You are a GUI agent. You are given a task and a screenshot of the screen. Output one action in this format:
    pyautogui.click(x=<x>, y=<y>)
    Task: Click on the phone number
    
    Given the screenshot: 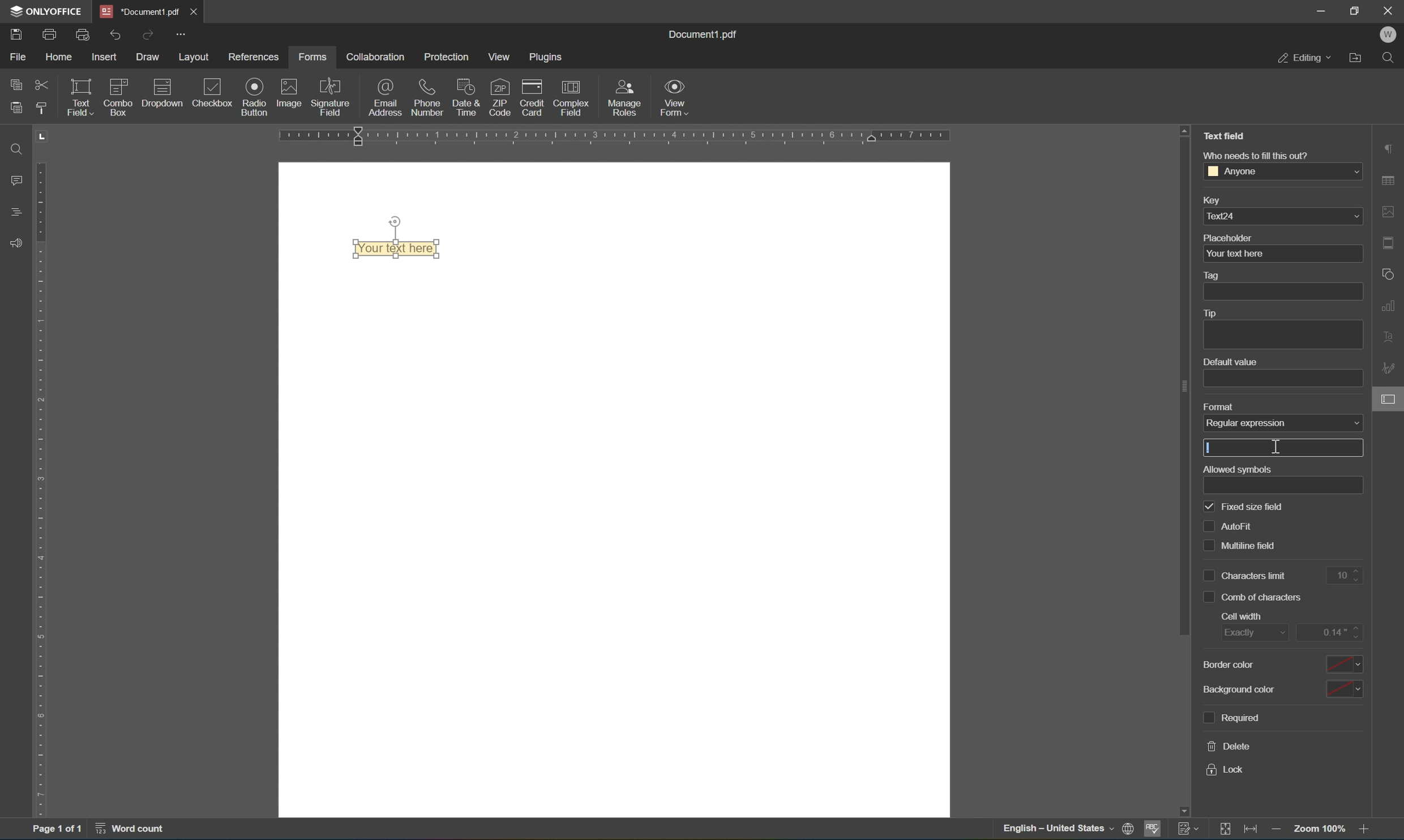 What is the action you would take?
    pyautogui.click(x=427, y=96)
    